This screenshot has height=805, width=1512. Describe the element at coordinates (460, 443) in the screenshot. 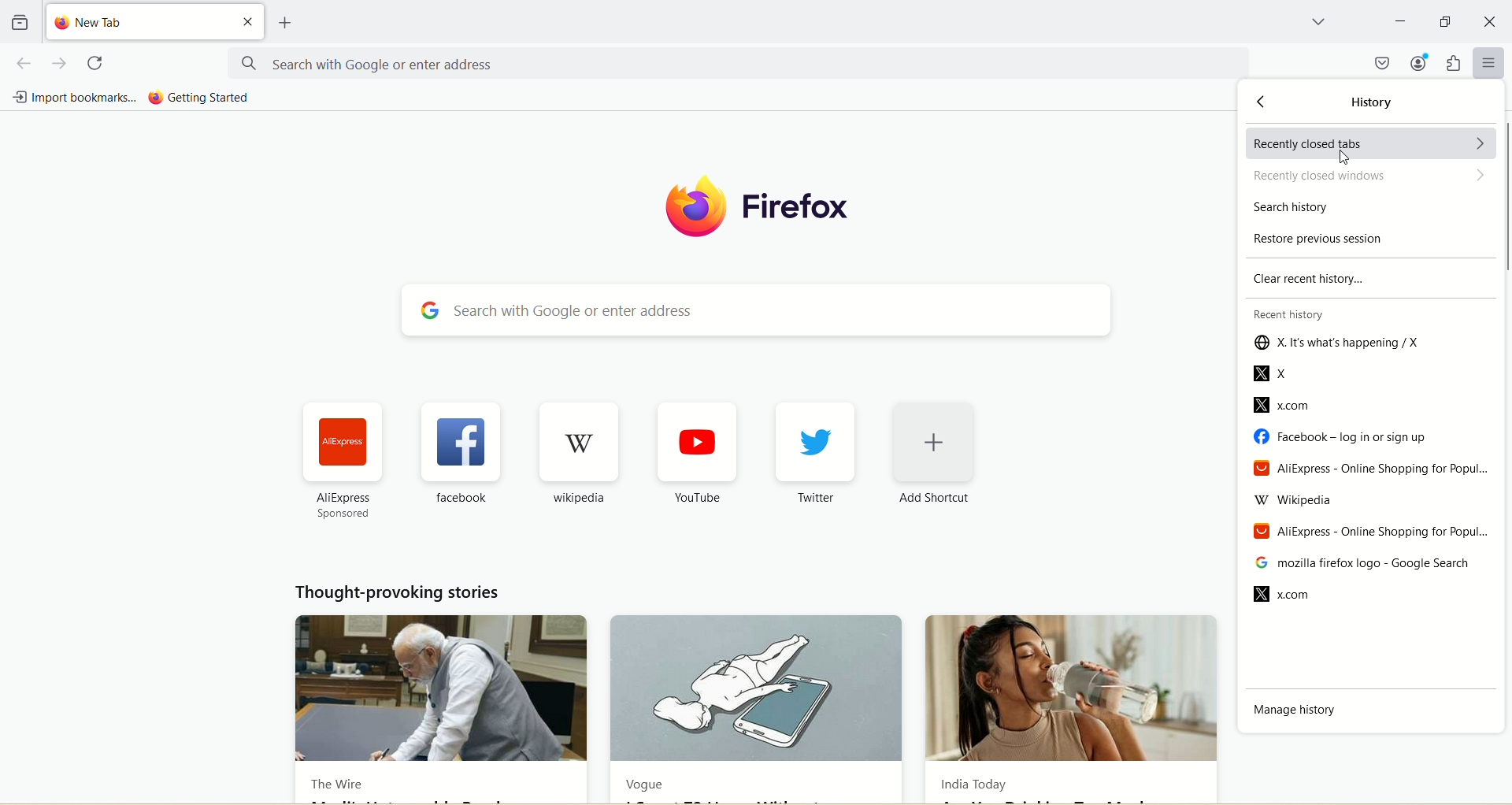

I see `facebook` at that location.